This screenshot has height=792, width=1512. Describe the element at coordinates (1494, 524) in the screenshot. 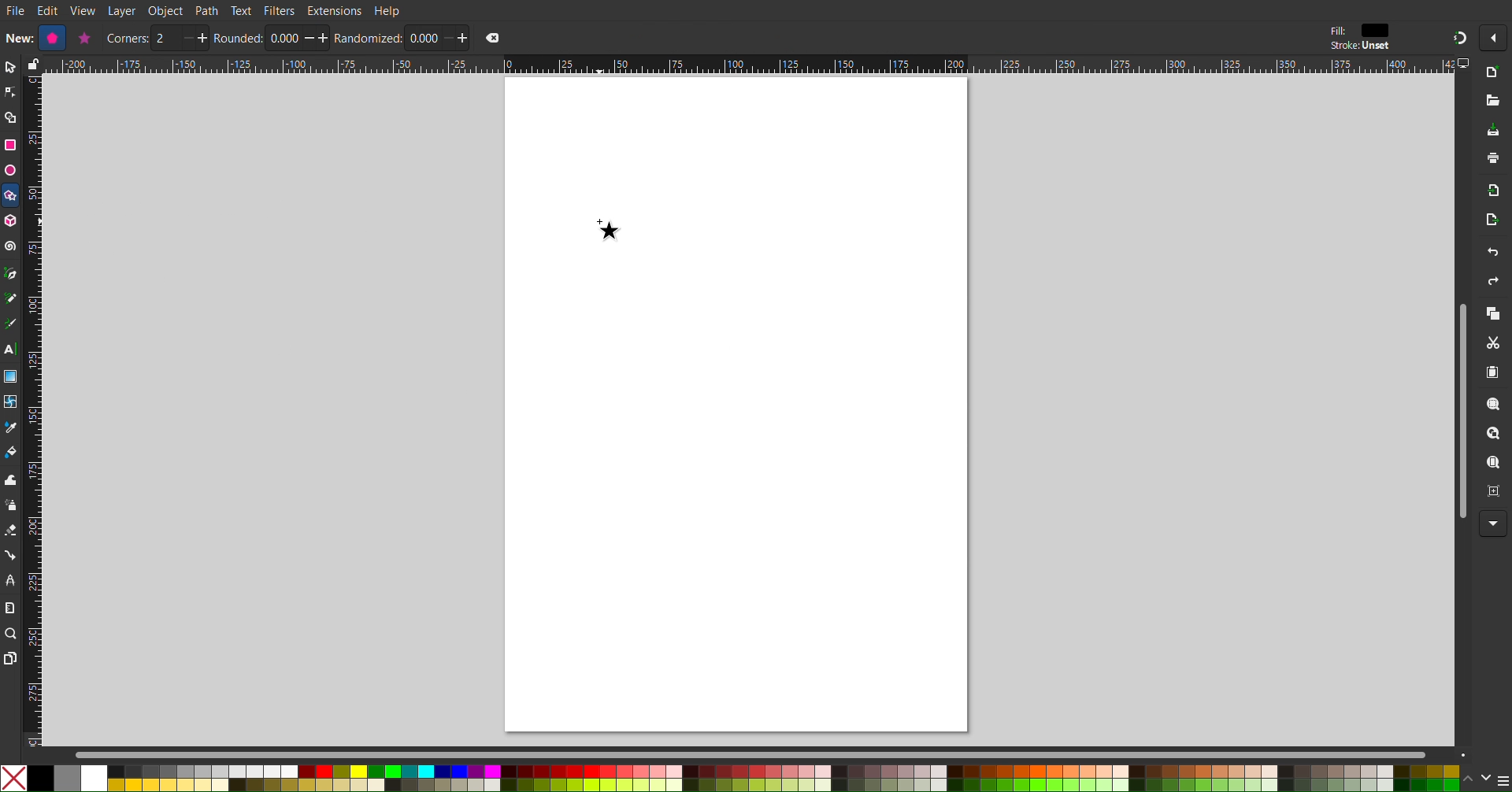

I see `More Options` at that location.